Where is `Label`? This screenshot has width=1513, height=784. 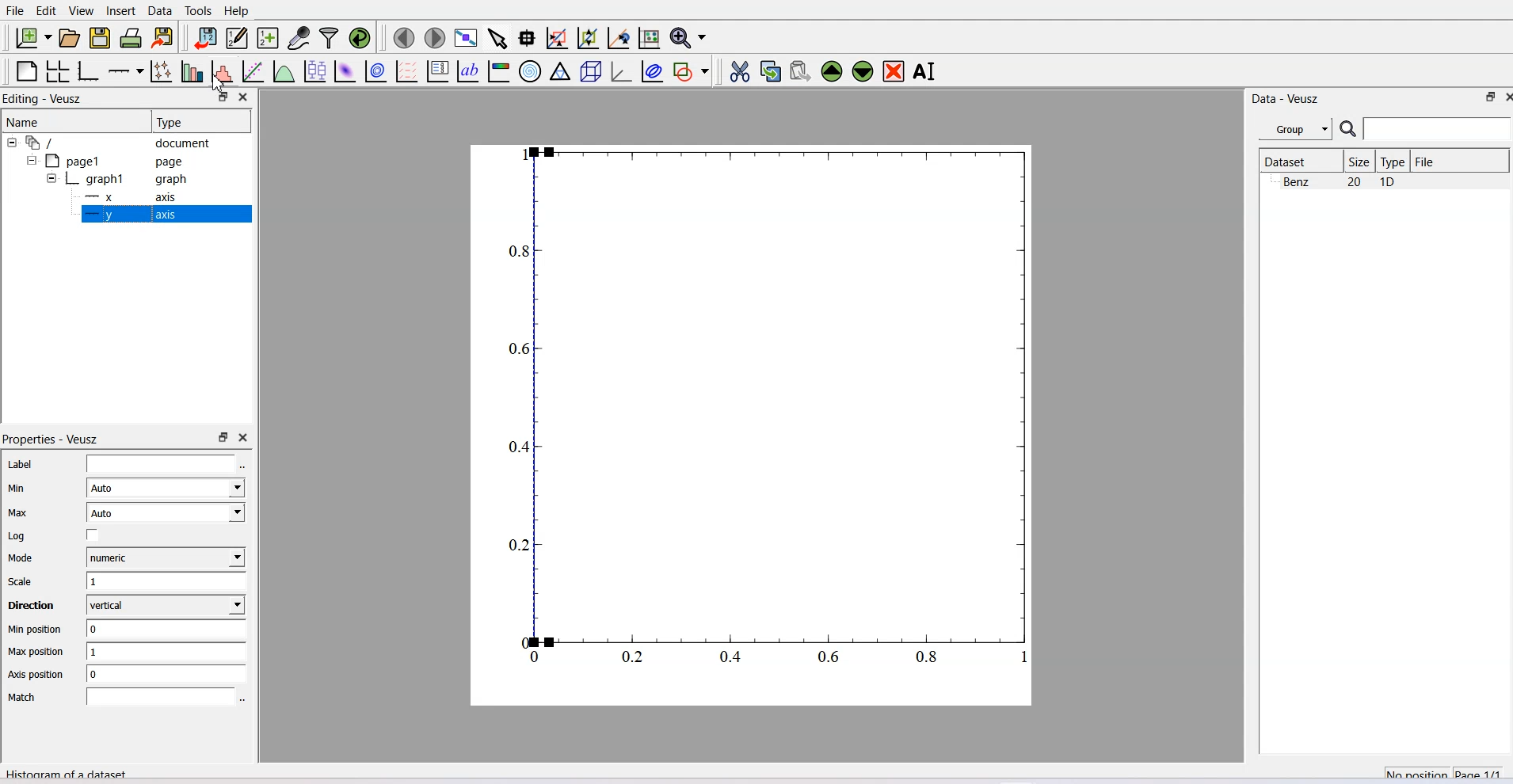
Label is located at coordinates (126, 463).